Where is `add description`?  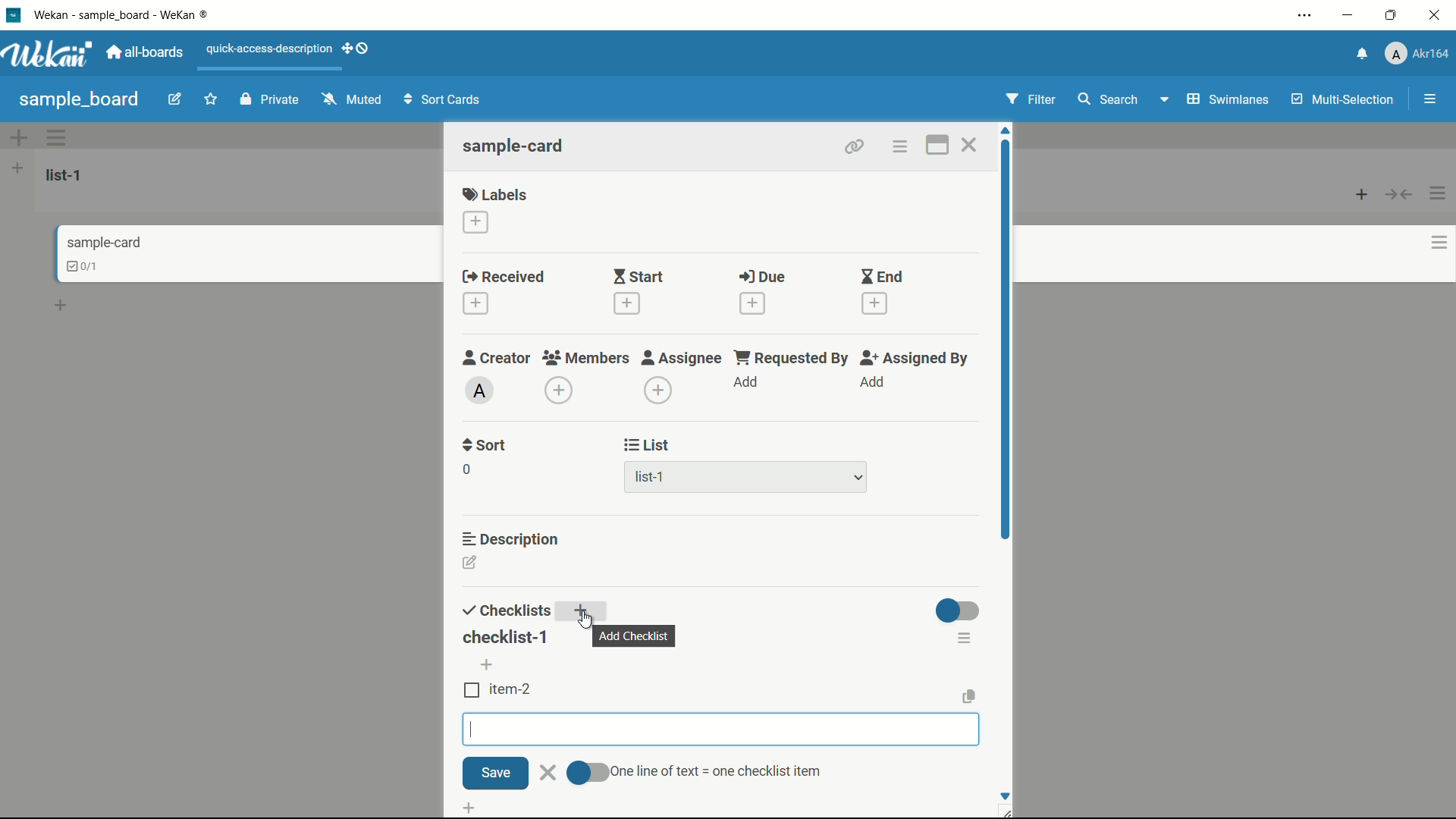 add description is located at coordinates (471, 565).